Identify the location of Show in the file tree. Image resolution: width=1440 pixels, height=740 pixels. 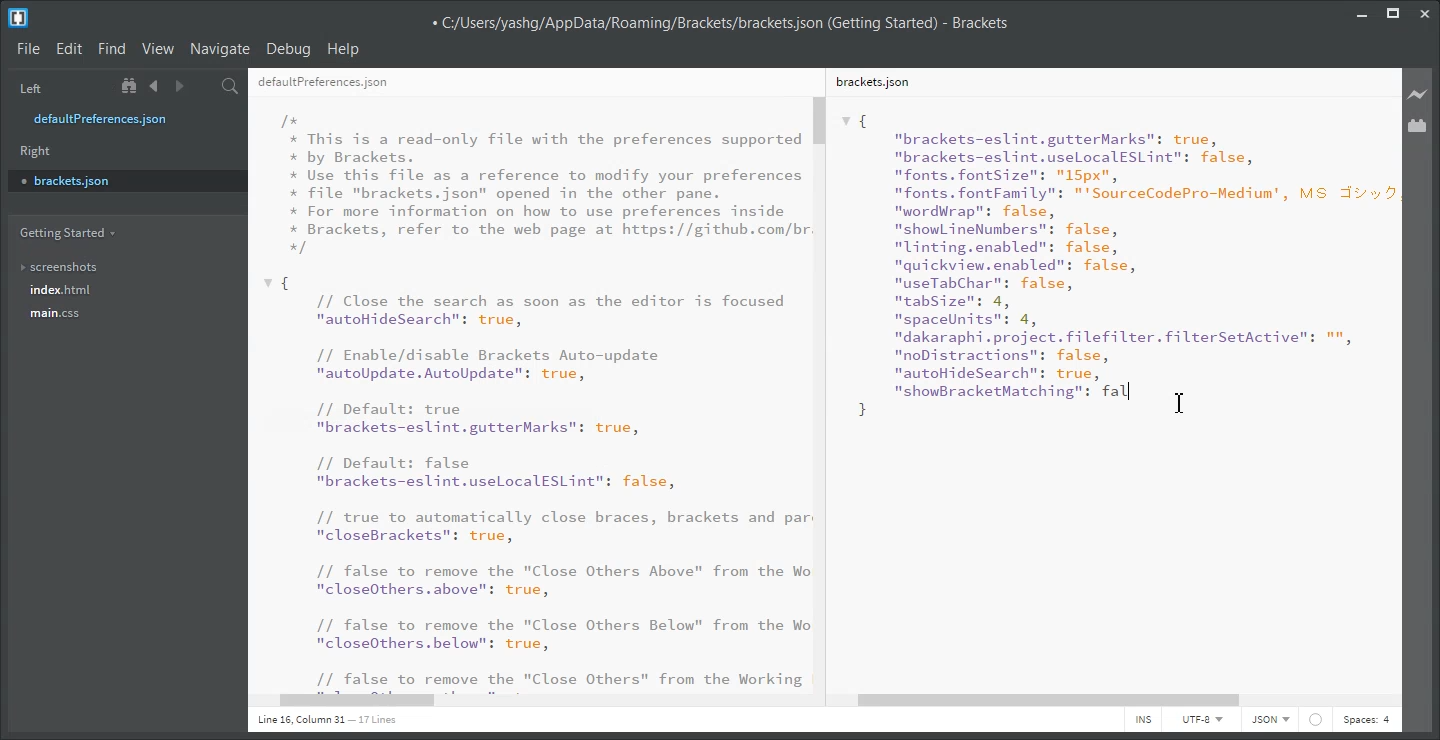
(131, 86).